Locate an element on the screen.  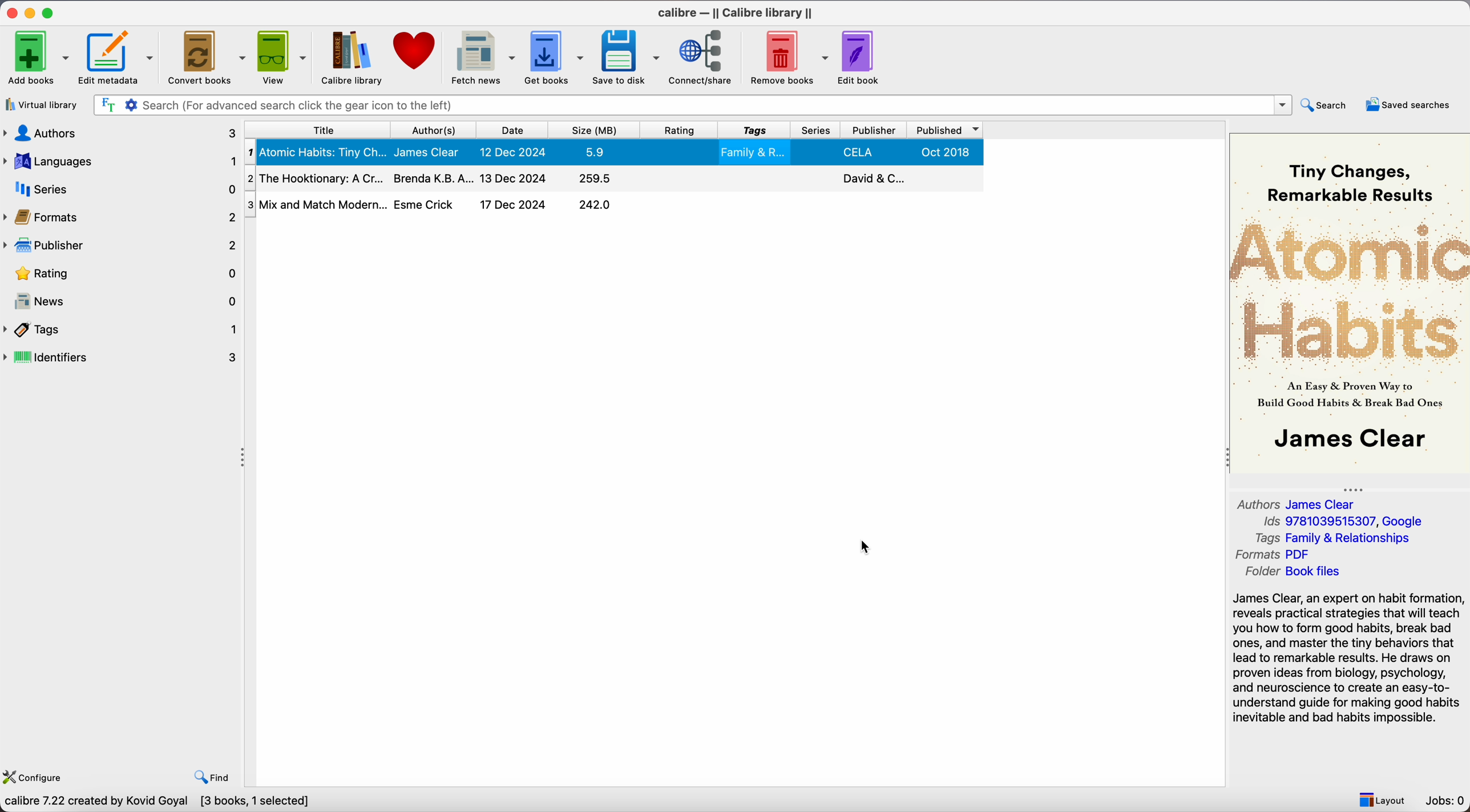
series is located at coordinates (119, 189).